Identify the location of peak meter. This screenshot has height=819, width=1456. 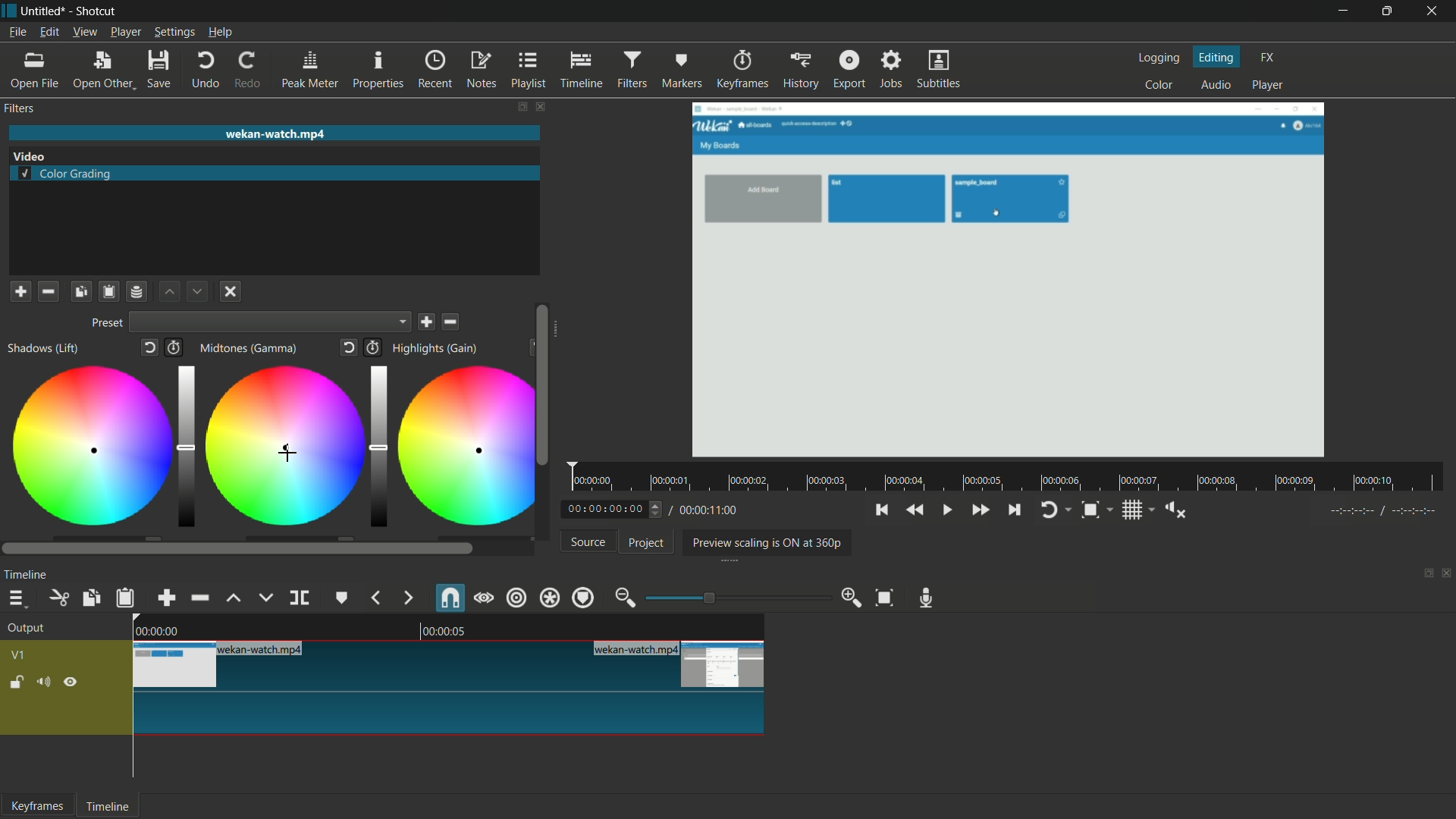
(312, 70).